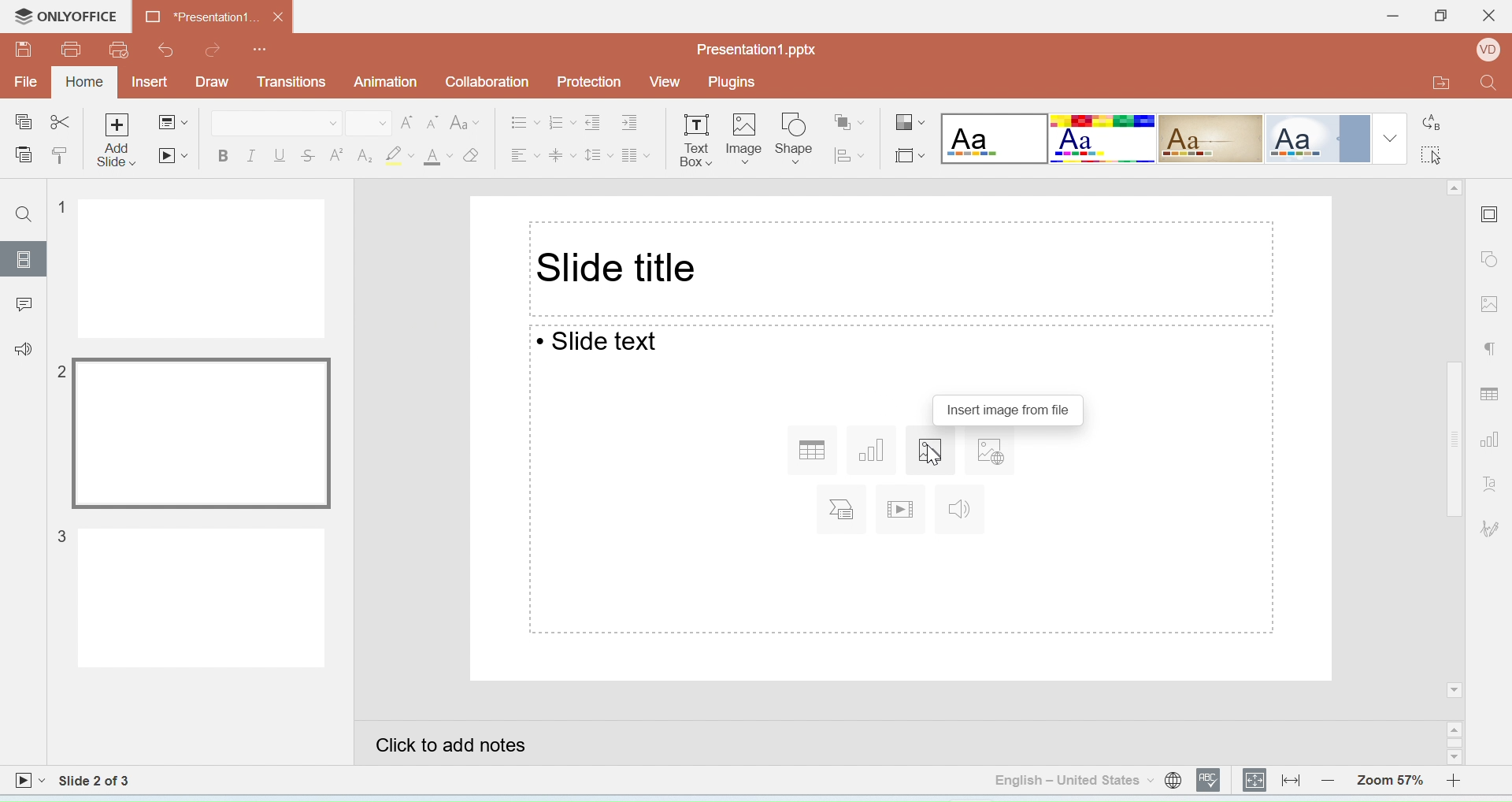 This screenshot has height=802, width=1512. What do you see at coordinates (526, 121) in the screenshot?
I see `Bullets` at bounding box center [526, 121].